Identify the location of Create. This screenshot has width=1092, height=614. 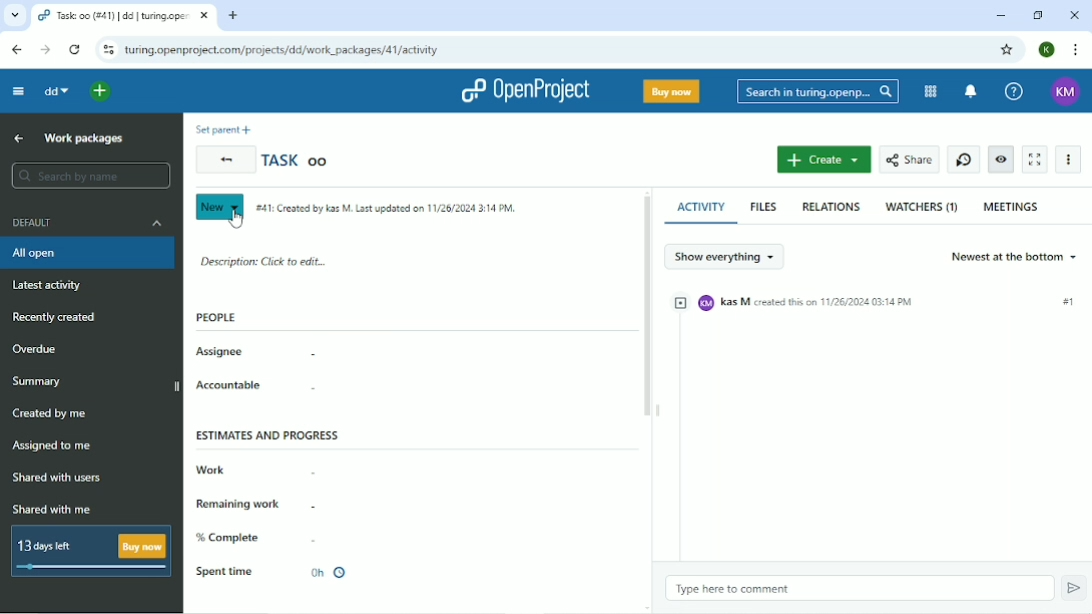
(825, 160).